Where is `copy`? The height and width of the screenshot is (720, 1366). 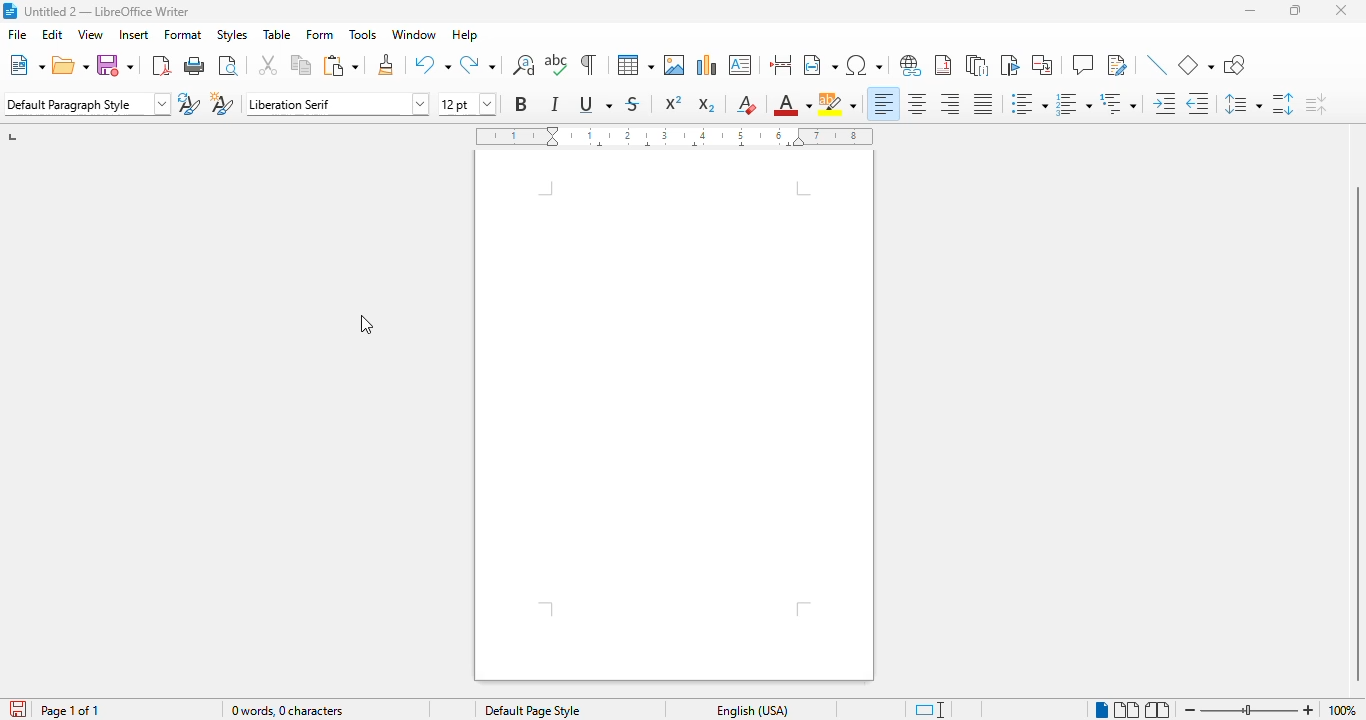 copy is located at coordinates (301, 65).